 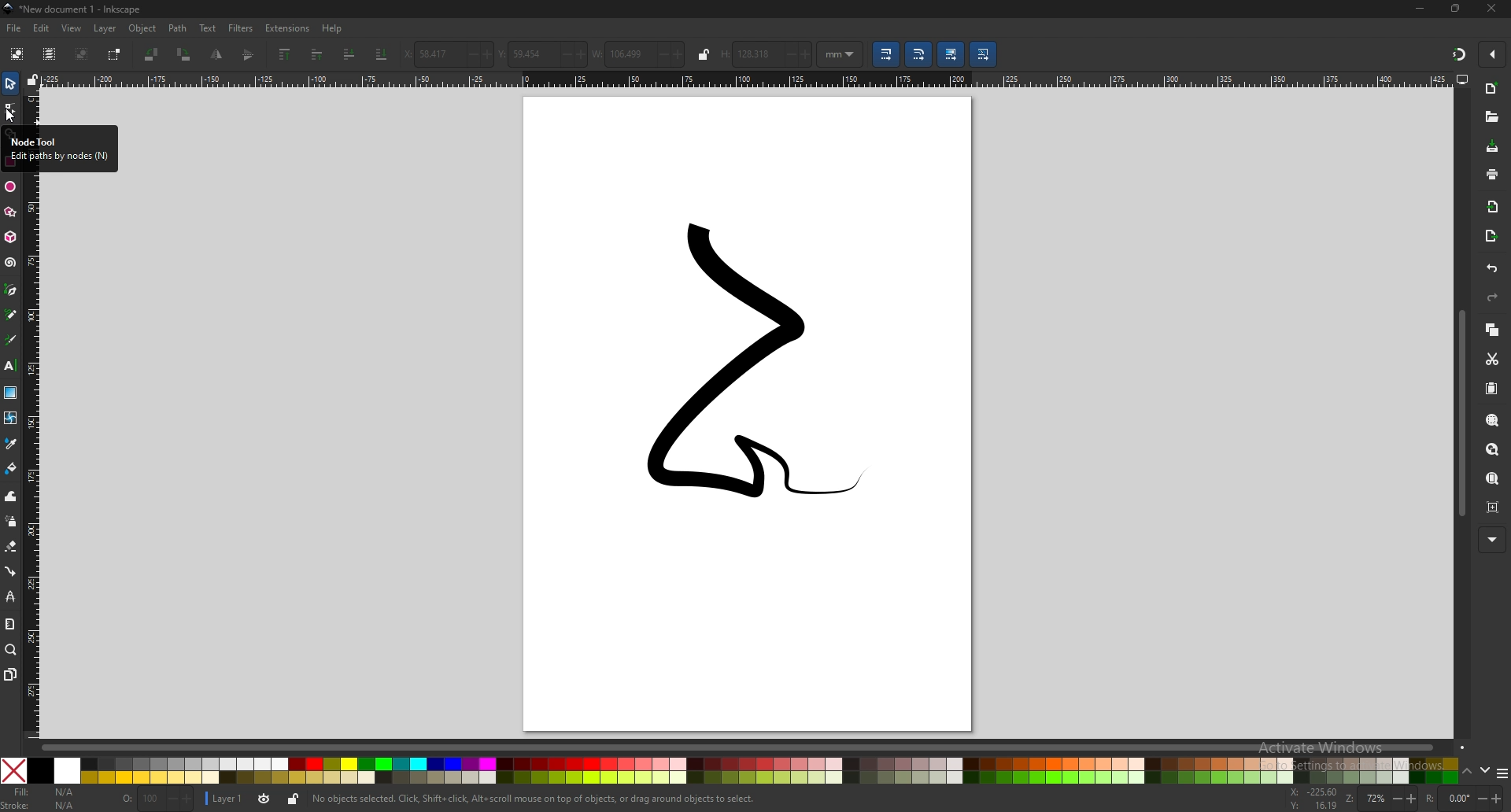 I want to click on resize, so click(x=1457, y=9).